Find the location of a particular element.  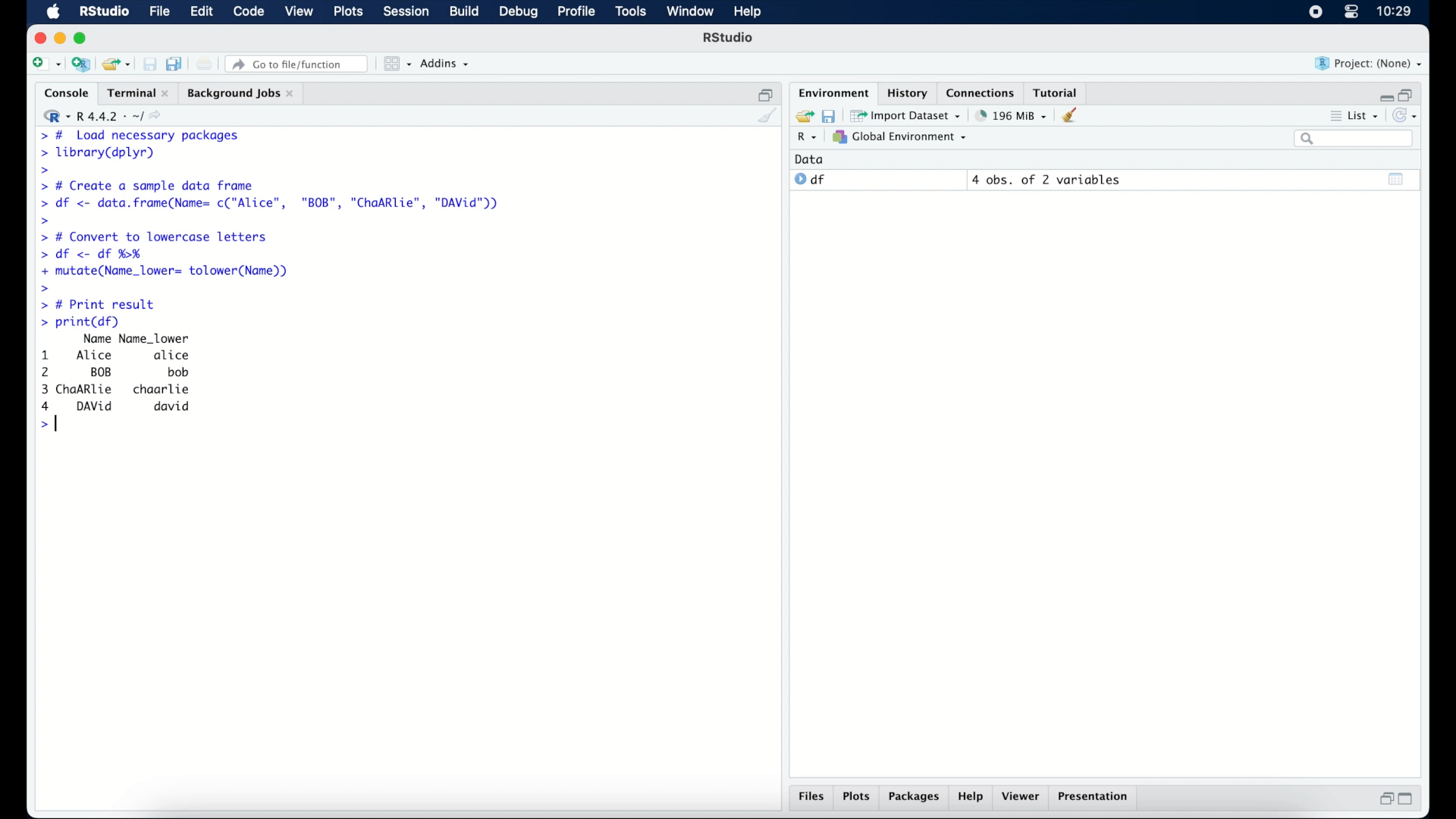

maximize is located at coordinates (83, 38).